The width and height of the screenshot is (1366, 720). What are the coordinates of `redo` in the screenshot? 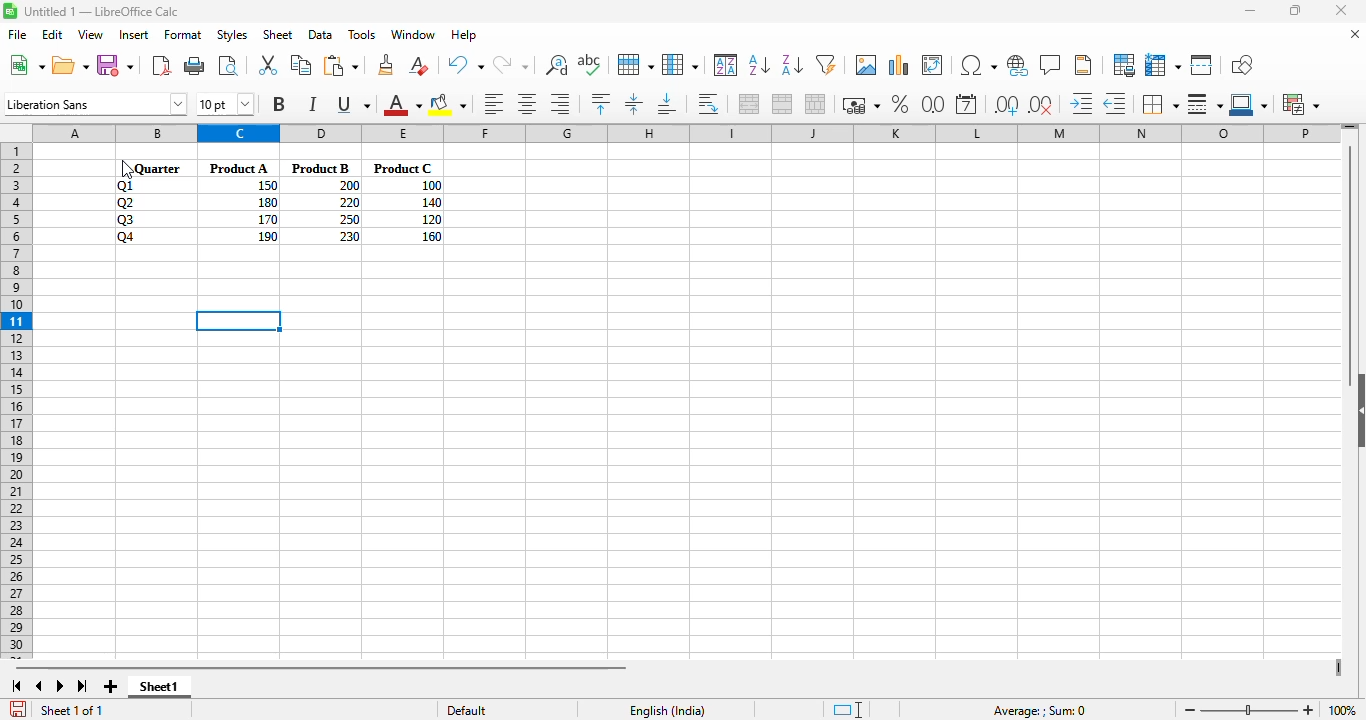 It's located at (510, 65).